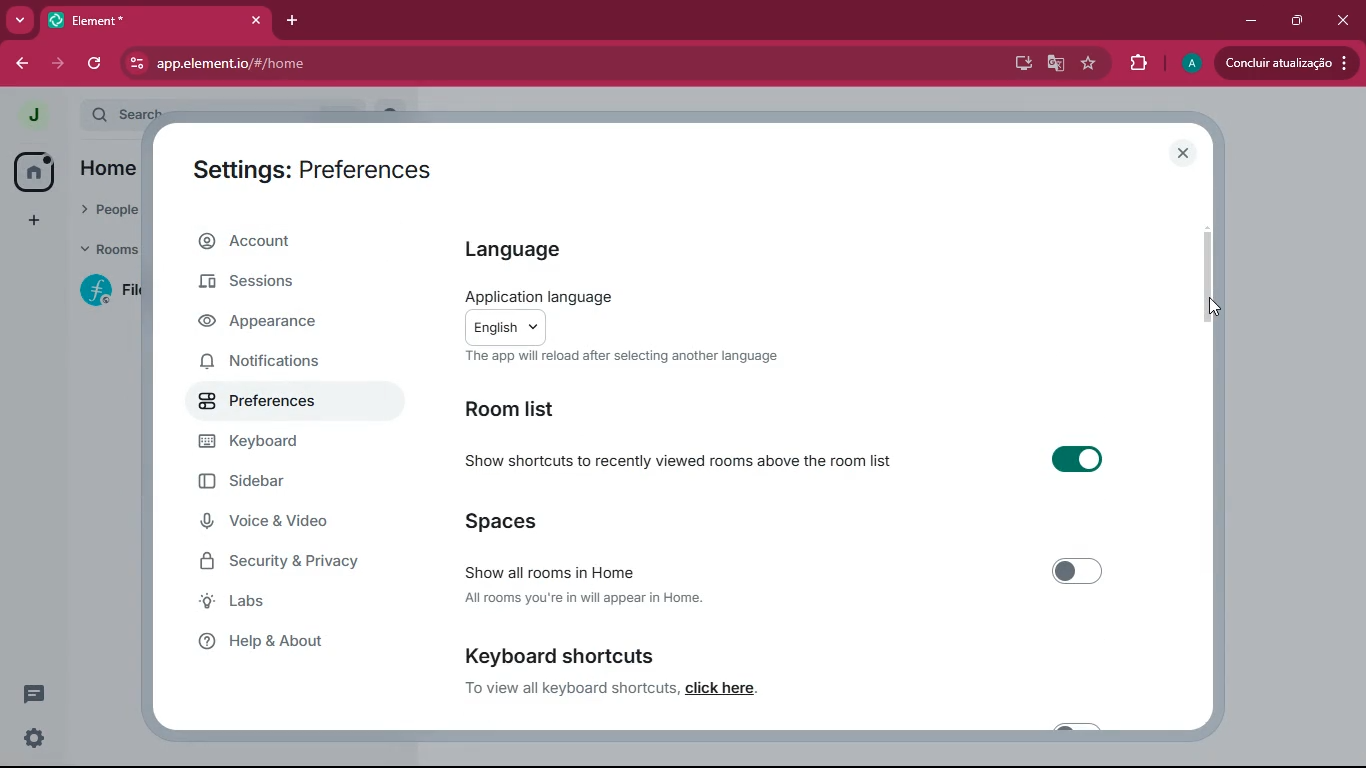  What do you see at coordinates (32, 115) in the screenshot?
I see `profile picture` at bounding box center [32, 115].